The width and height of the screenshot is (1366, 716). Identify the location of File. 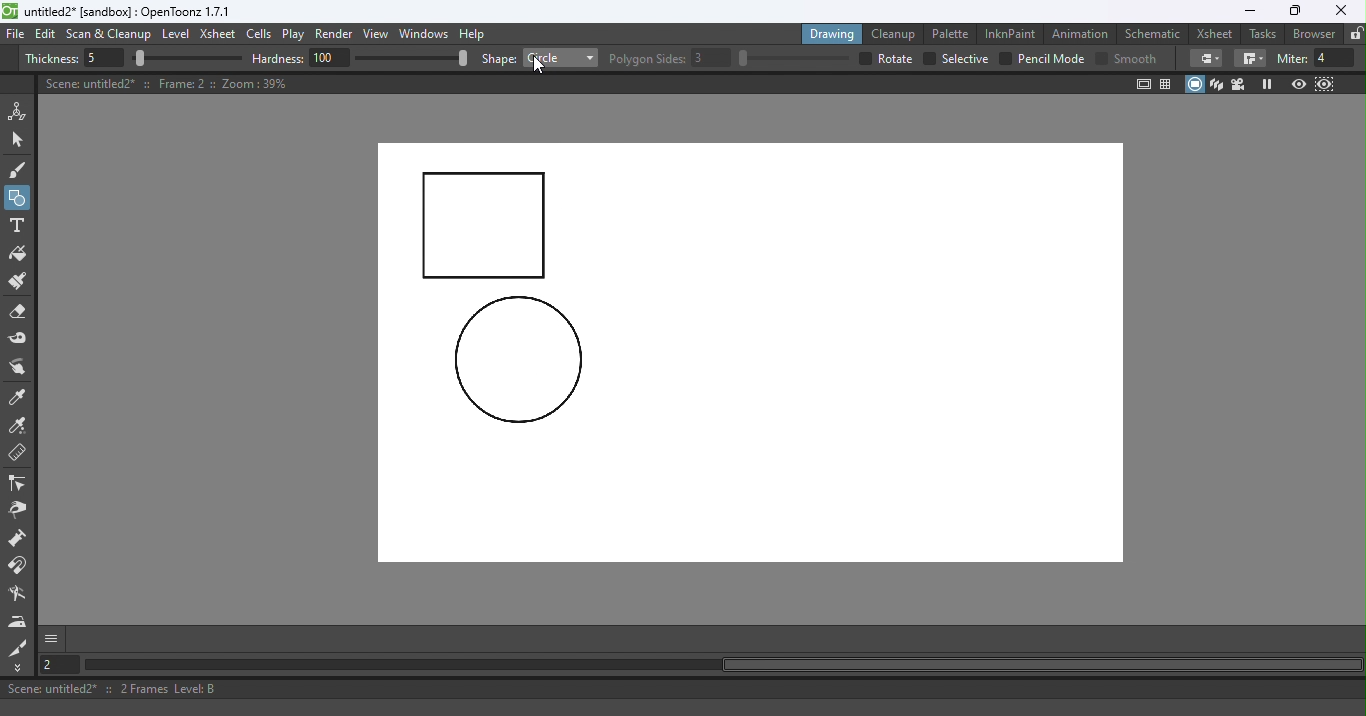
(16, 35).